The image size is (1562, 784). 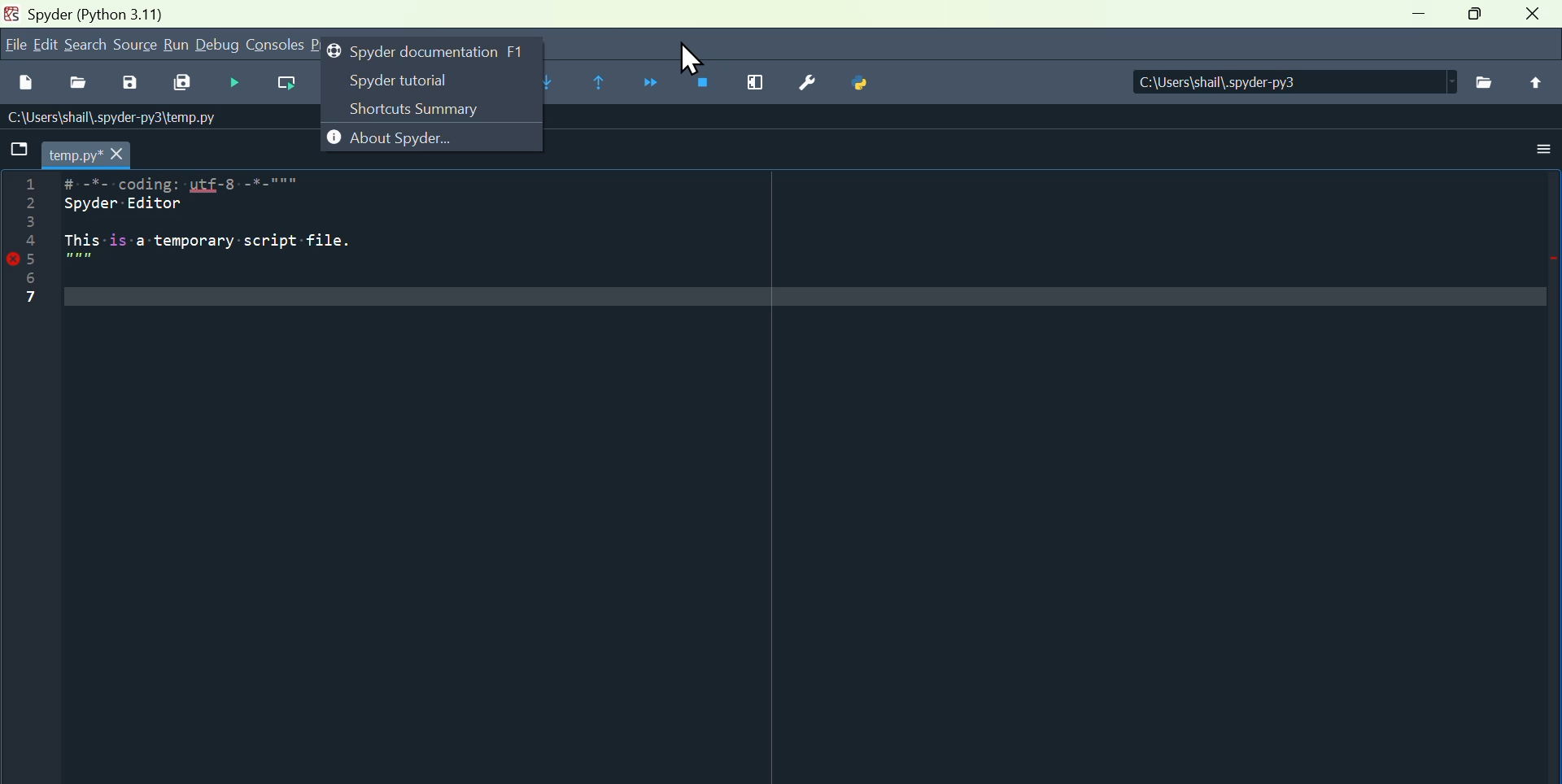 I want to click on maximize, so click(x=1475, y=14).